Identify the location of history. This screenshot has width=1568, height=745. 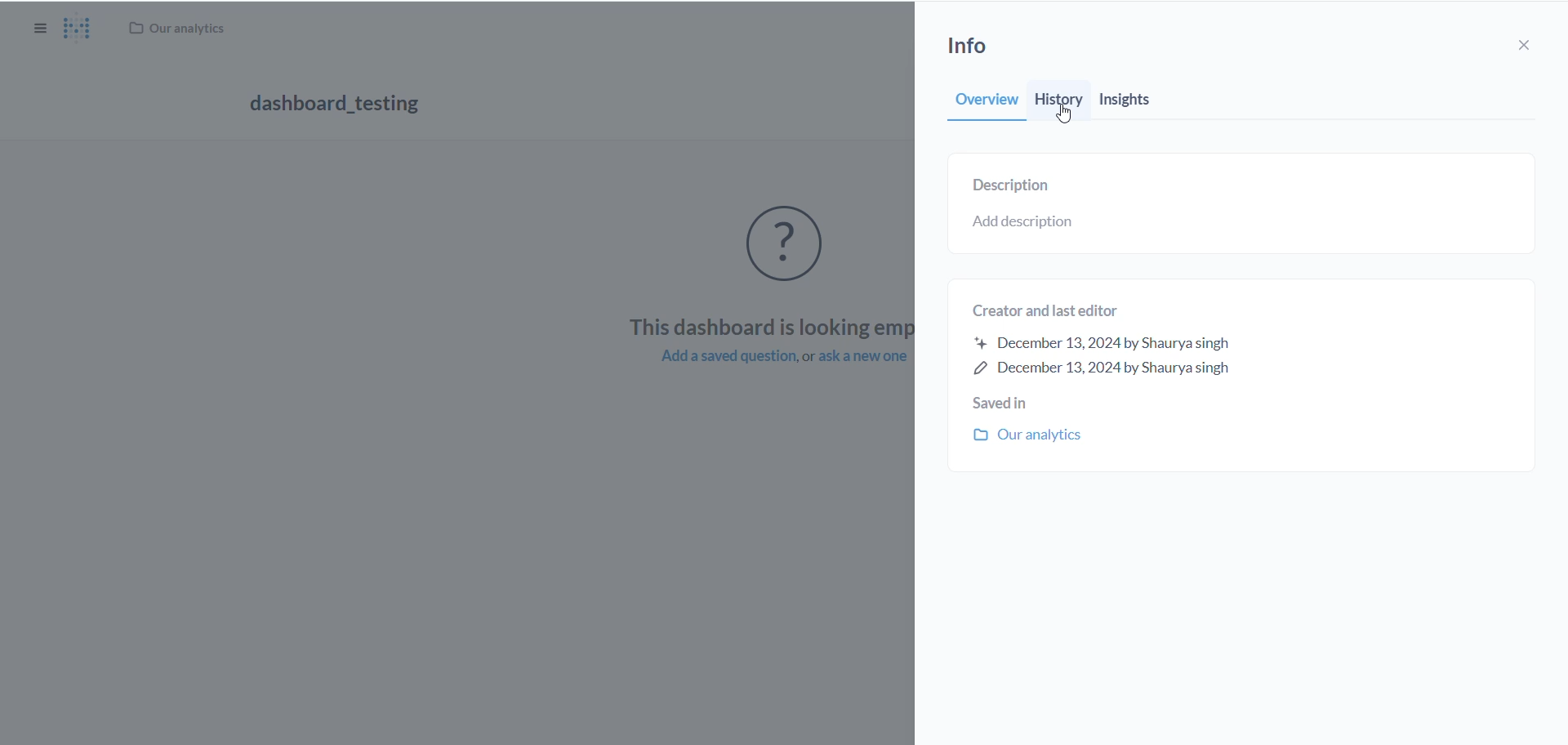
(1060, 98).